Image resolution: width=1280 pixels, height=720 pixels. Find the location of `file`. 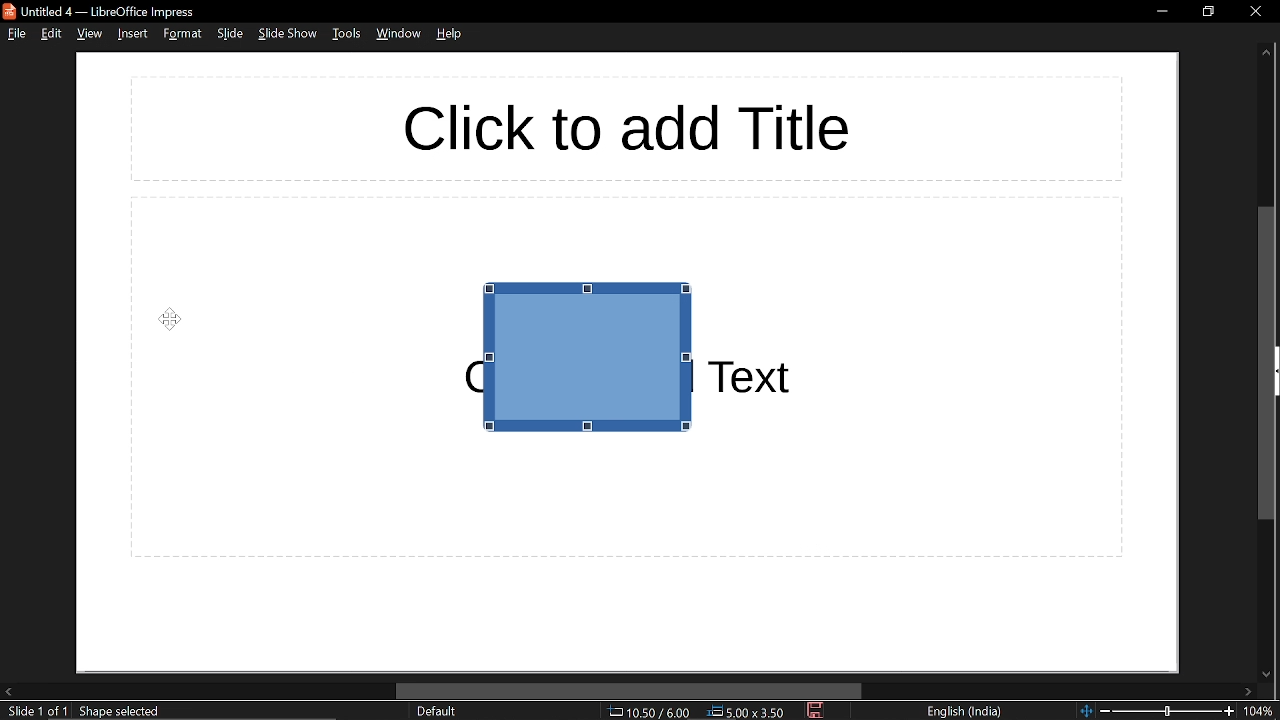

file is located at coordinates (18, 35).